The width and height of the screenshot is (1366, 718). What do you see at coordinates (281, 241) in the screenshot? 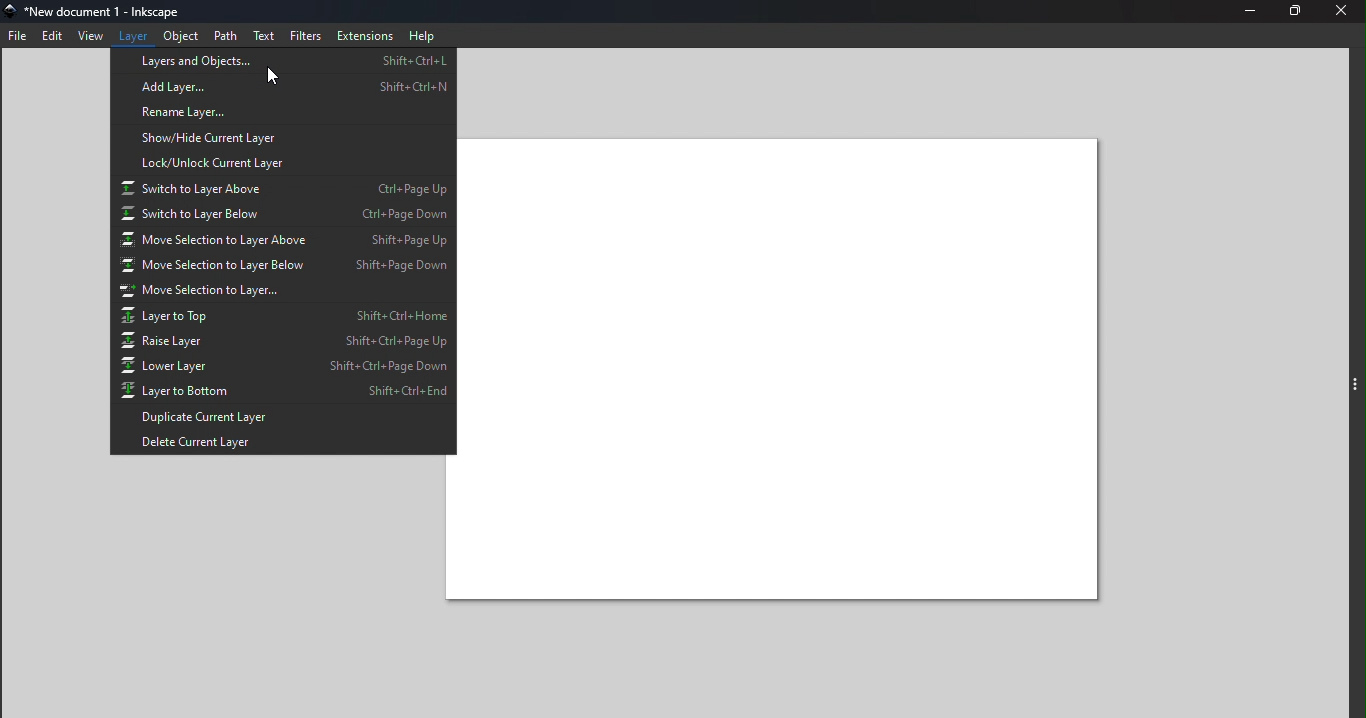
I see `Move selection to layer above` at bounding box center [281, 241].